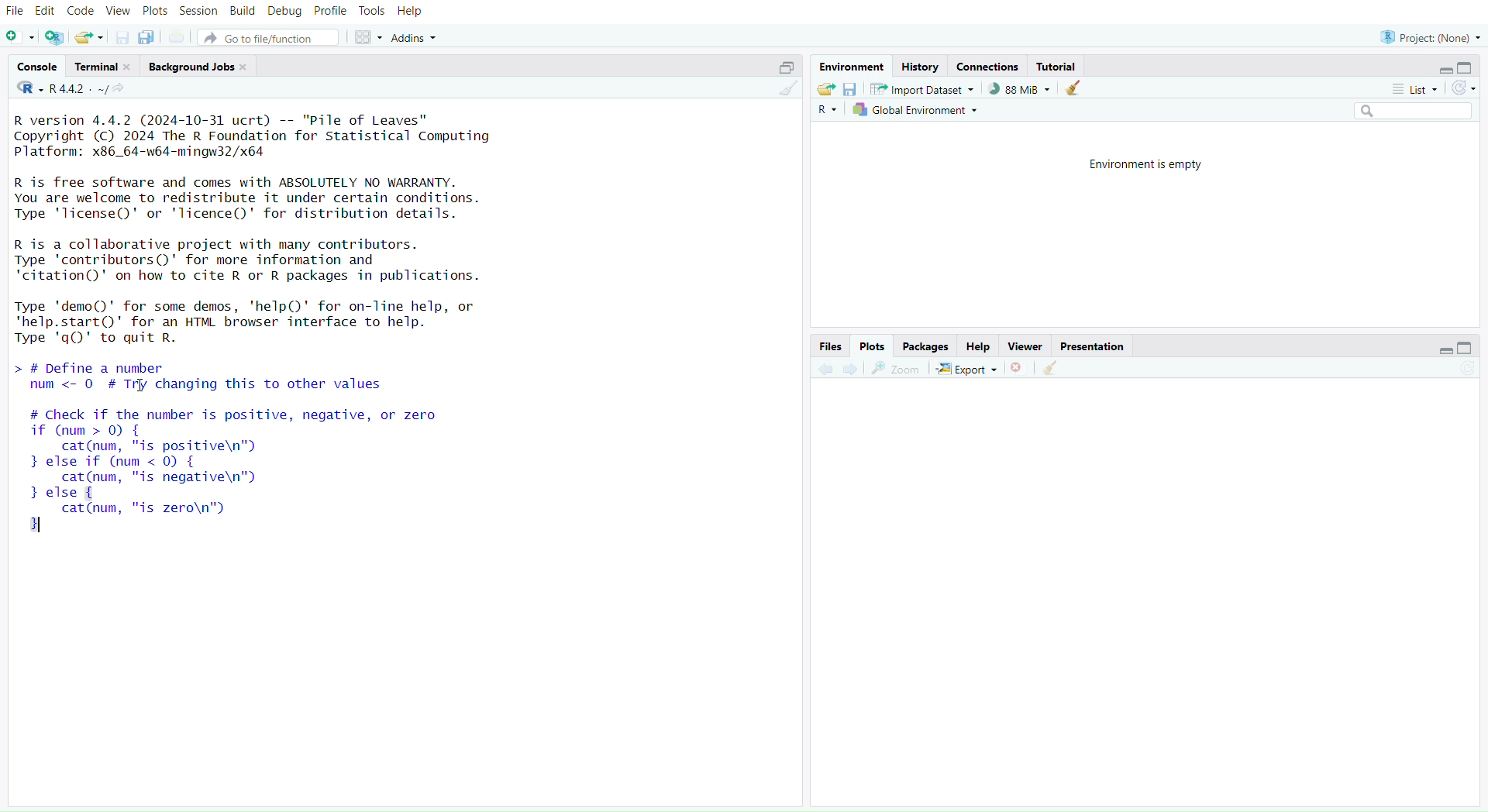  Describe the element at coordinates (1463, 88) in the screenshot. I see `refresh list` at that location.